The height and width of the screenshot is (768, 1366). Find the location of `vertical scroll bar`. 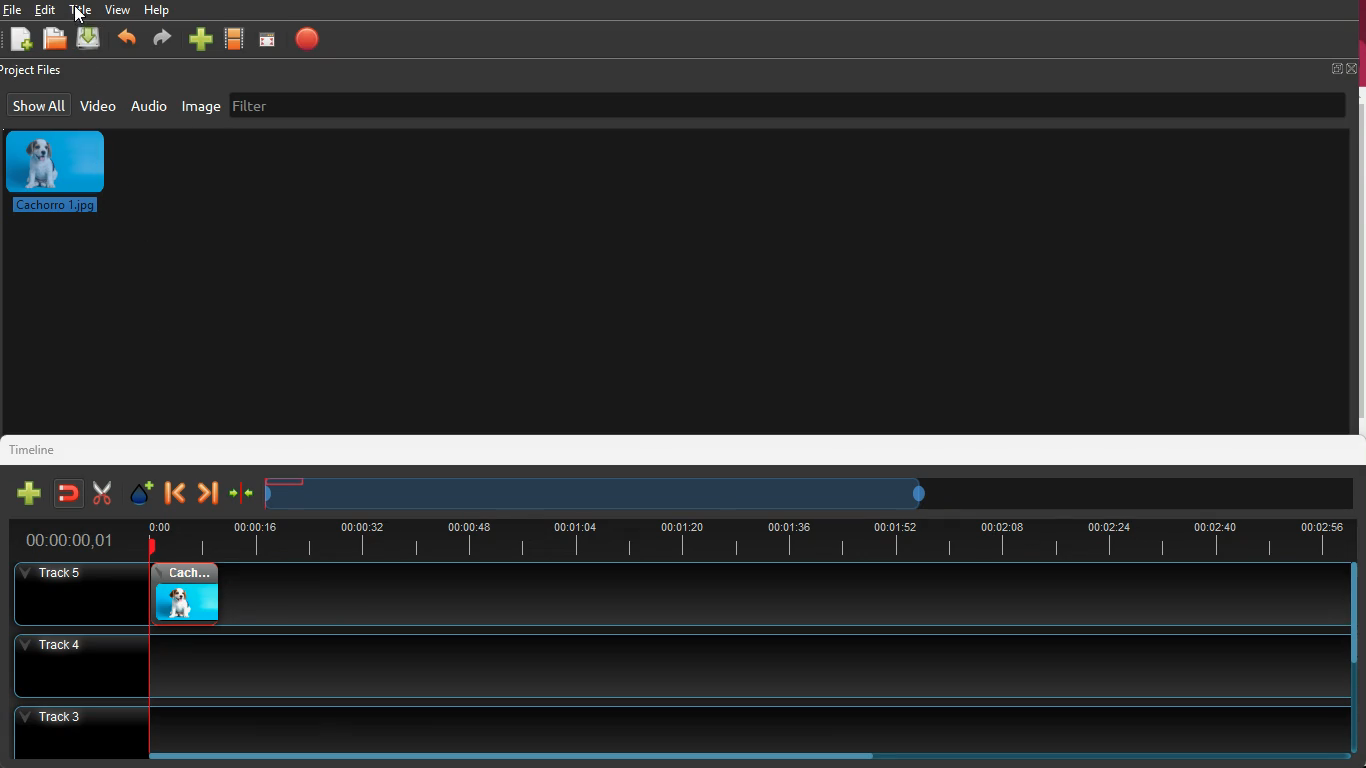

vertical scroll bar is located at coordinates (1357, 260).